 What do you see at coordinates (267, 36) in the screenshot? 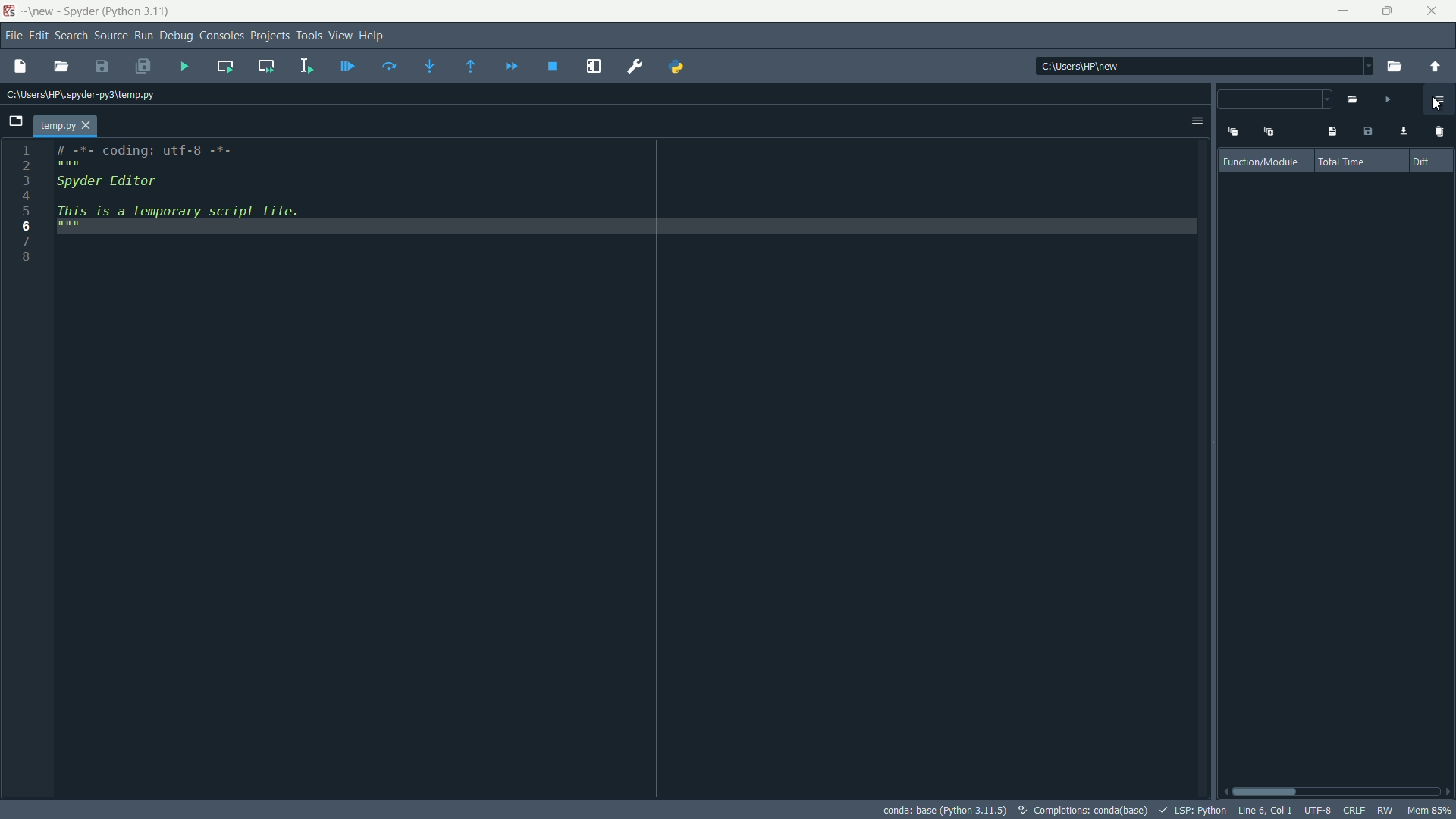
I see `projects menu` at bounding box center [267, 36].